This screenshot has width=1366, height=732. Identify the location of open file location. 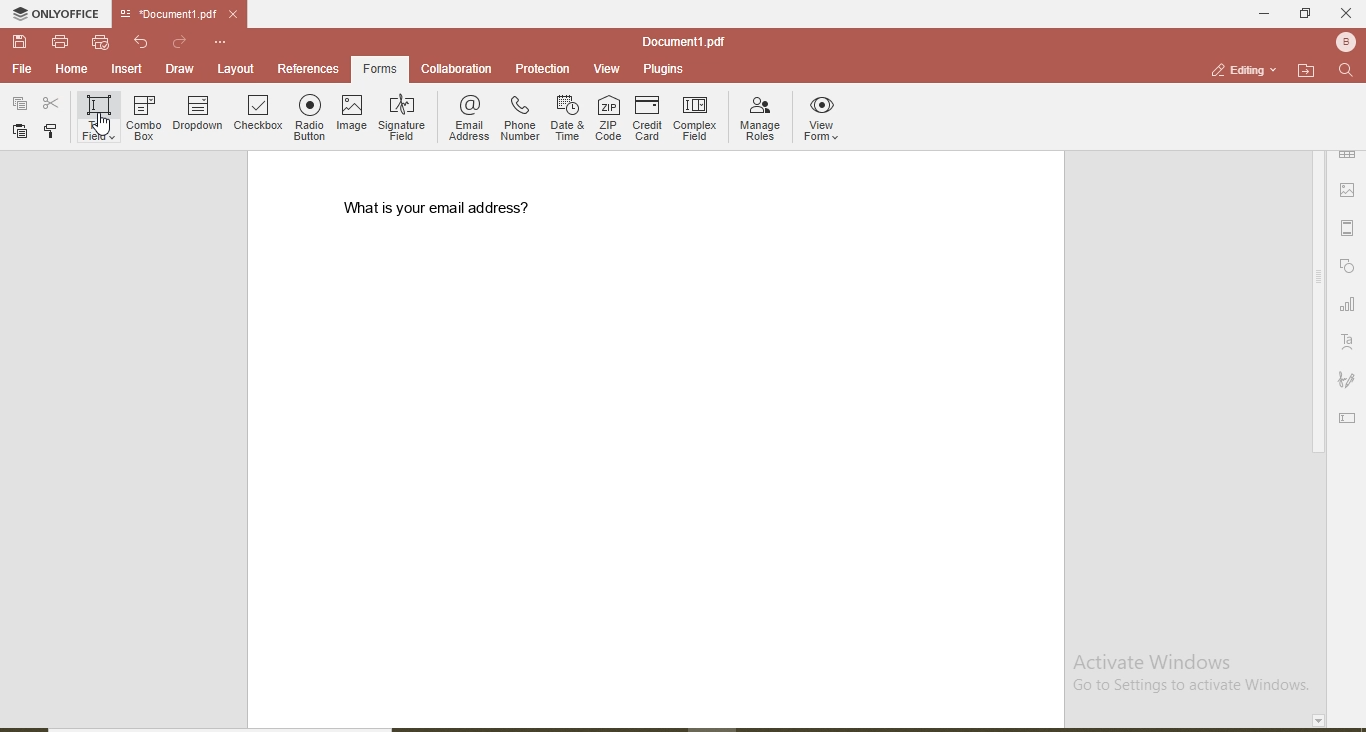
(1306, 70).